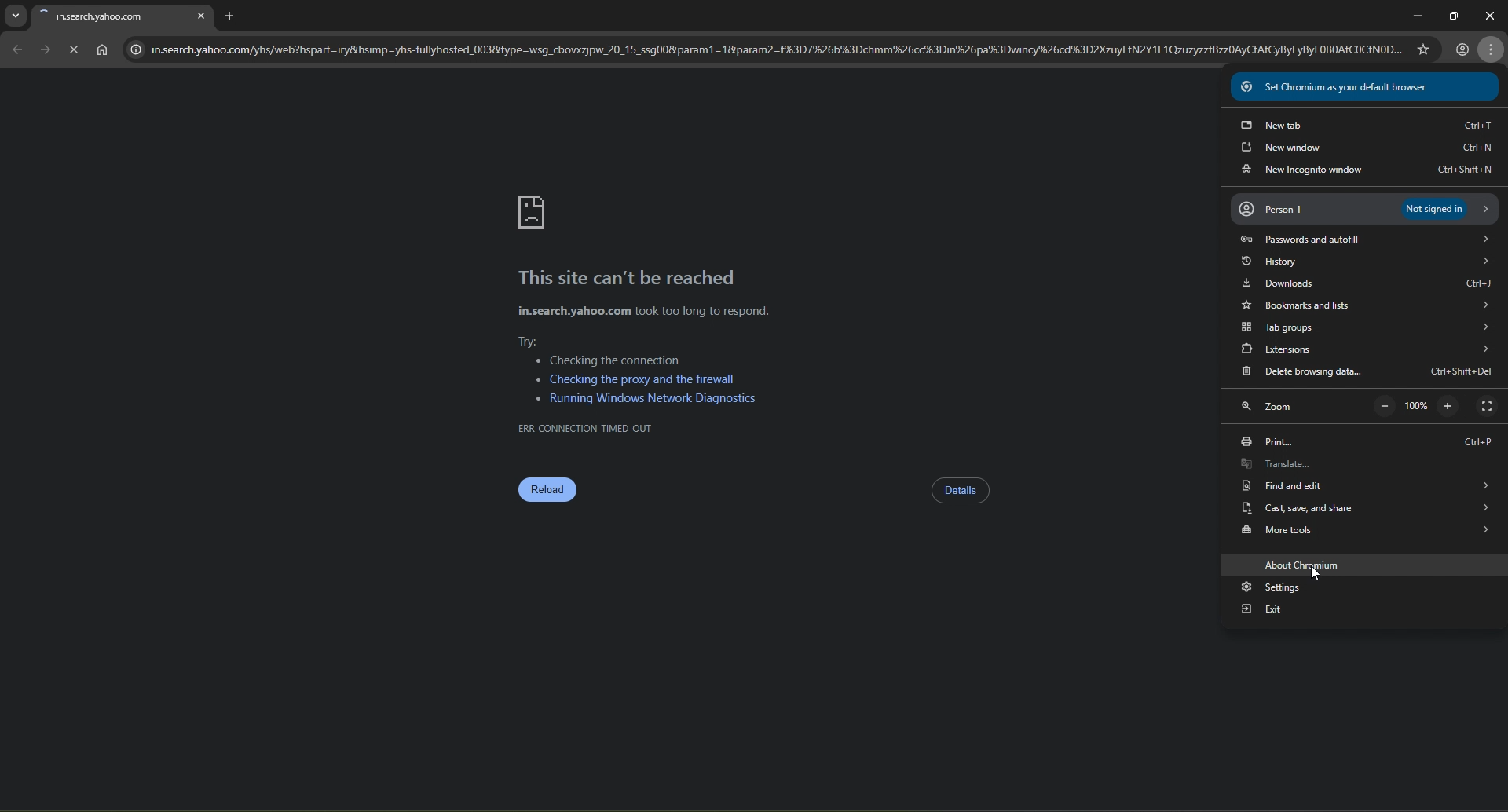  What do you see at coordinates (1488, 406) in the screenshot?
I see `full screen` at bounding box center [1488, 406].